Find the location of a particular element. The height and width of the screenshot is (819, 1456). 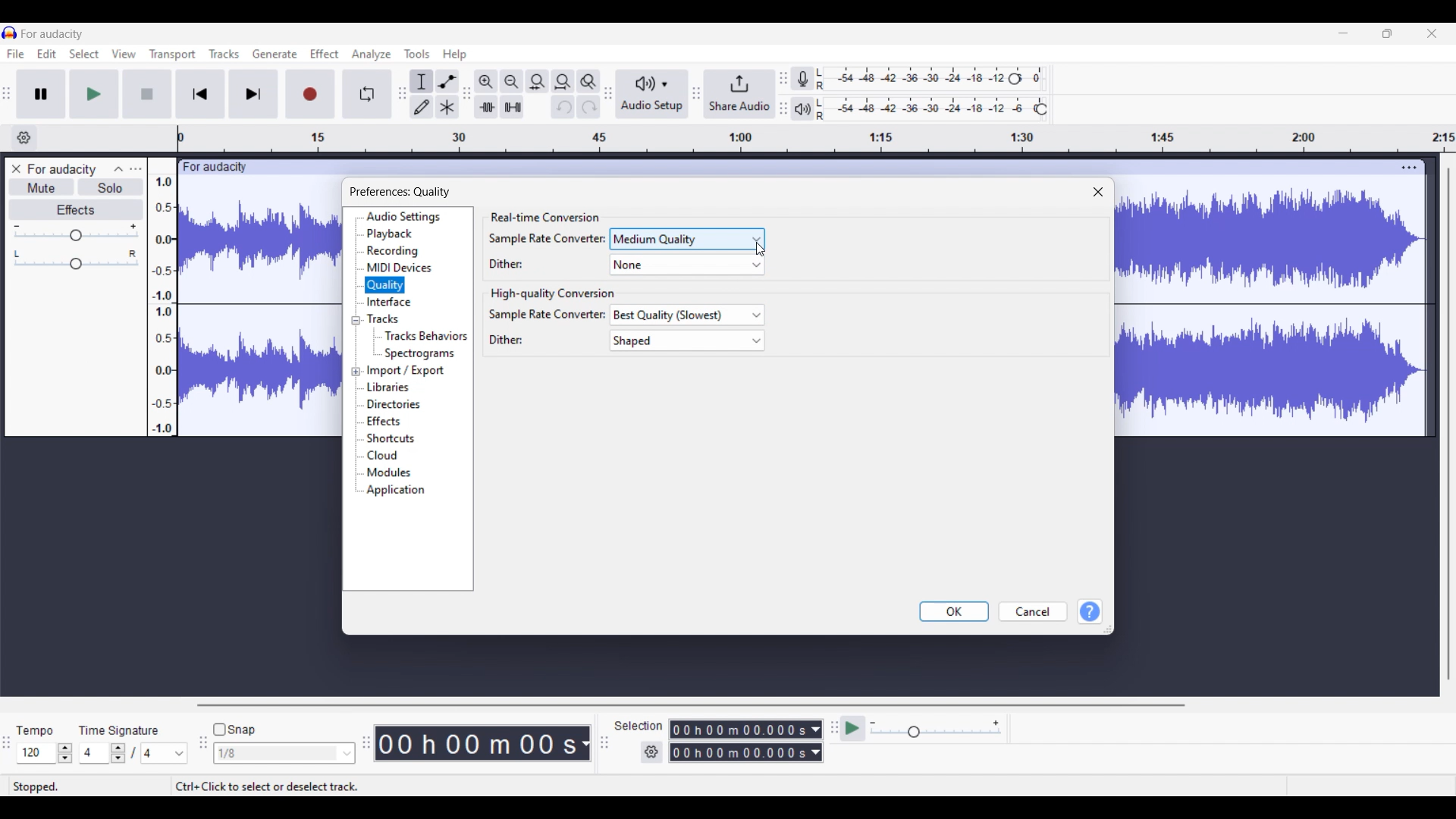

Tools menu is located at coordinates (416, 54).